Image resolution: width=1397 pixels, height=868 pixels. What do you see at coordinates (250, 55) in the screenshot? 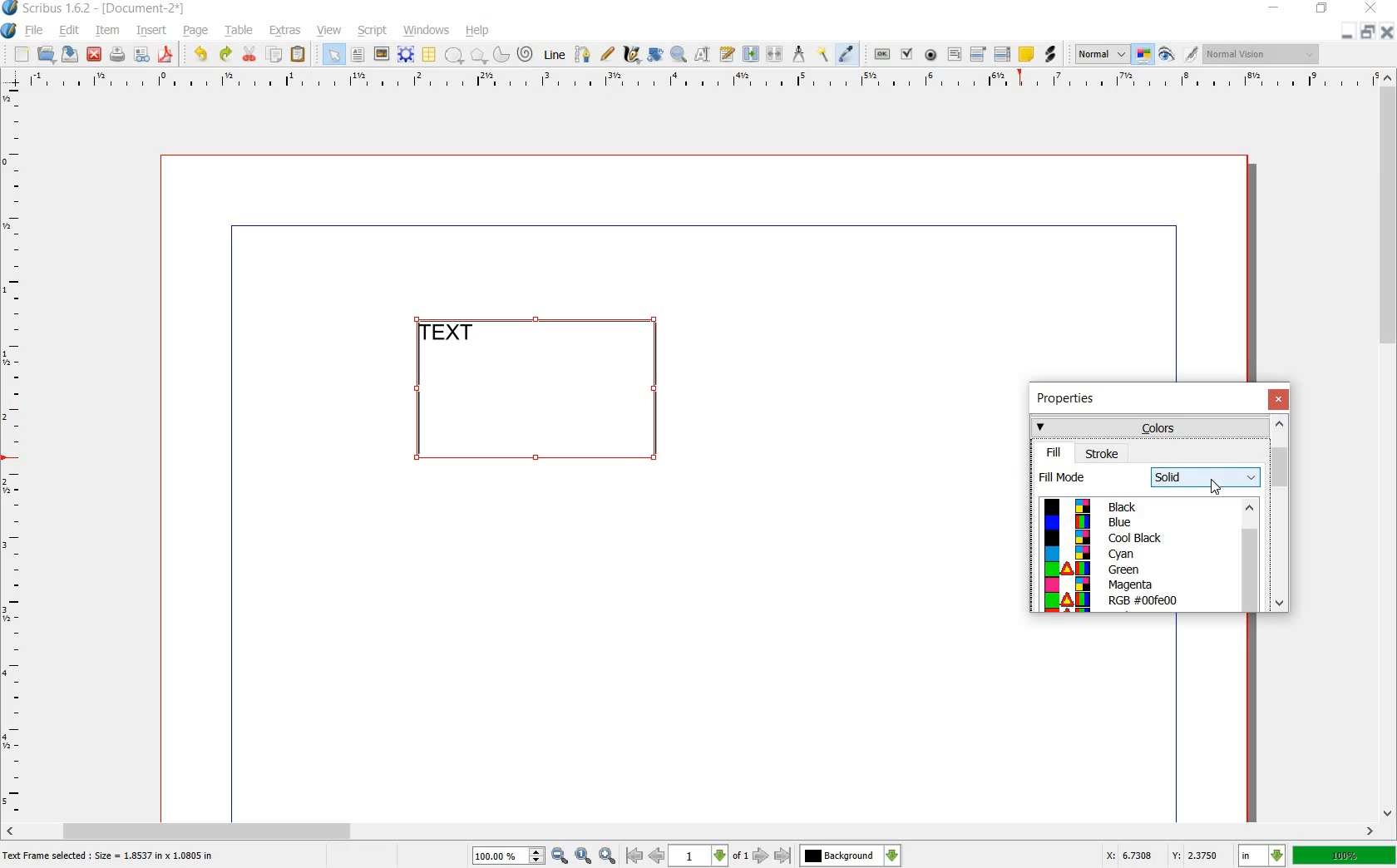
I see `cut` at bounding box center [250, 55].